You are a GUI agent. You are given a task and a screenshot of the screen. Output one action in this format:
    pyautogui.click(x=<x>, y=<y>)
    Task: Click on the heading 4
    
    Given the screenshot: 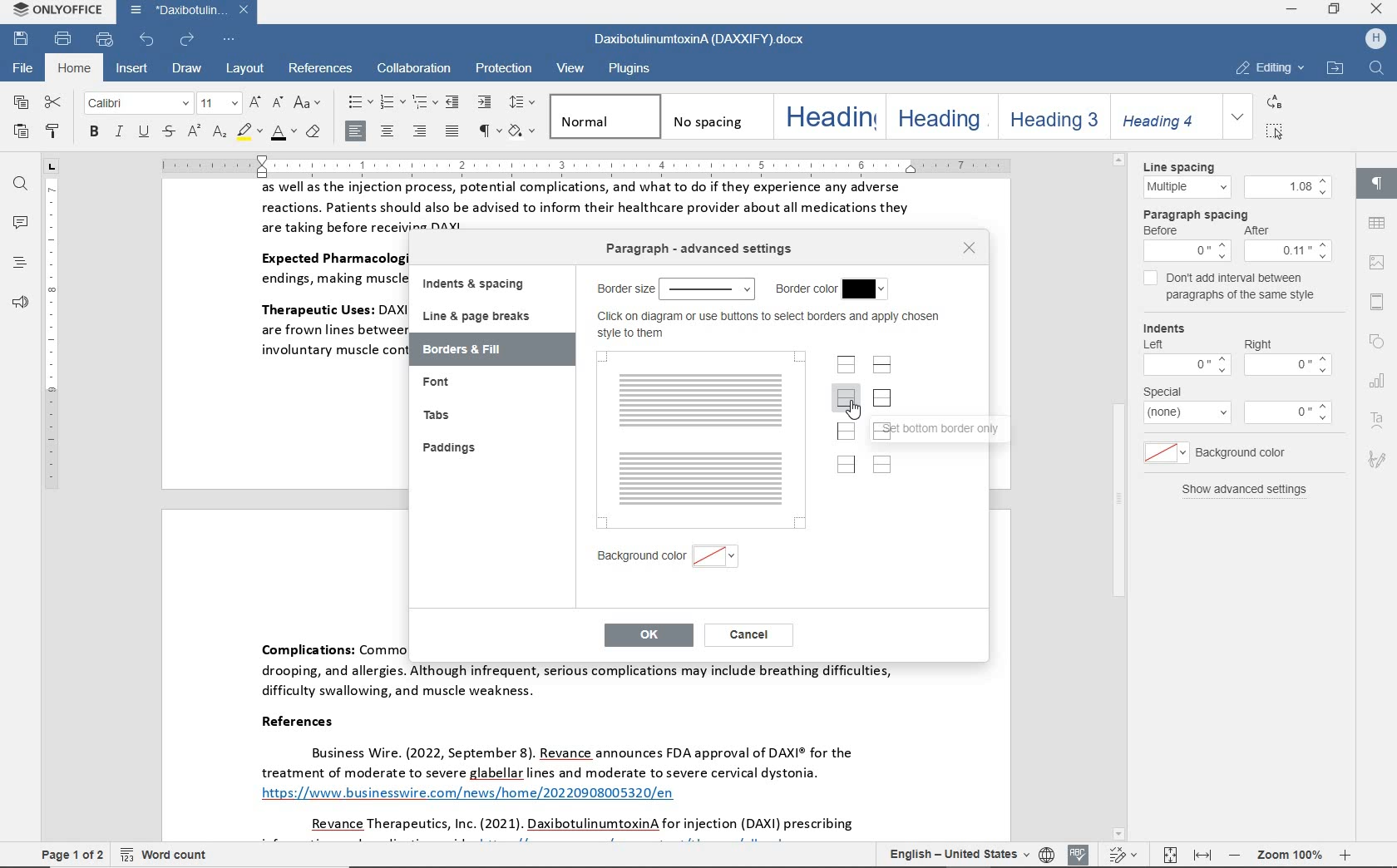 What is the action you would take?
    pyautogui.click(x=1161, y=116)
    